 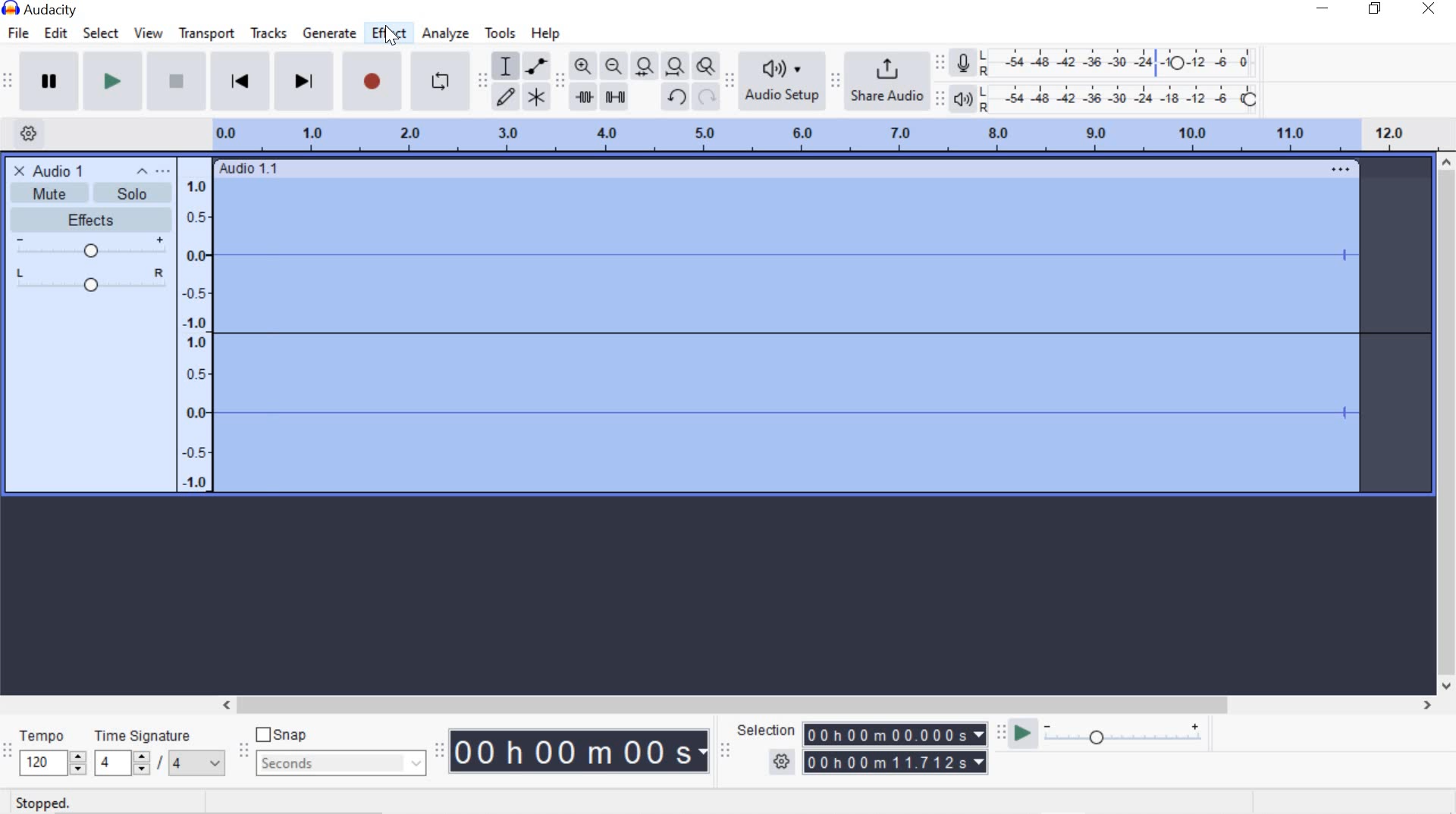 I want to click on TEMPO, so click(x=50, y=752).